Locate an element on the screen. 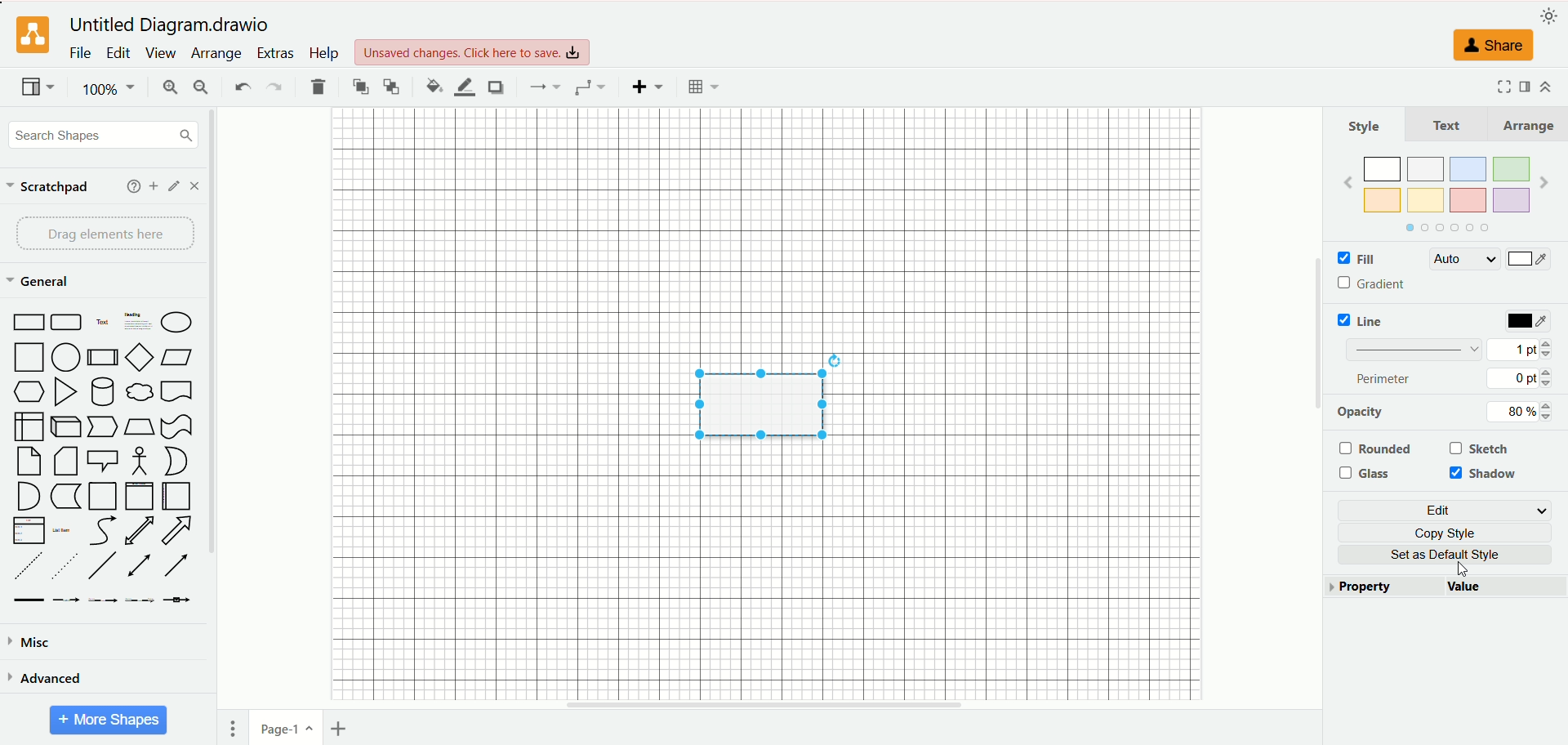  to back is located at coordinates (391, 86).